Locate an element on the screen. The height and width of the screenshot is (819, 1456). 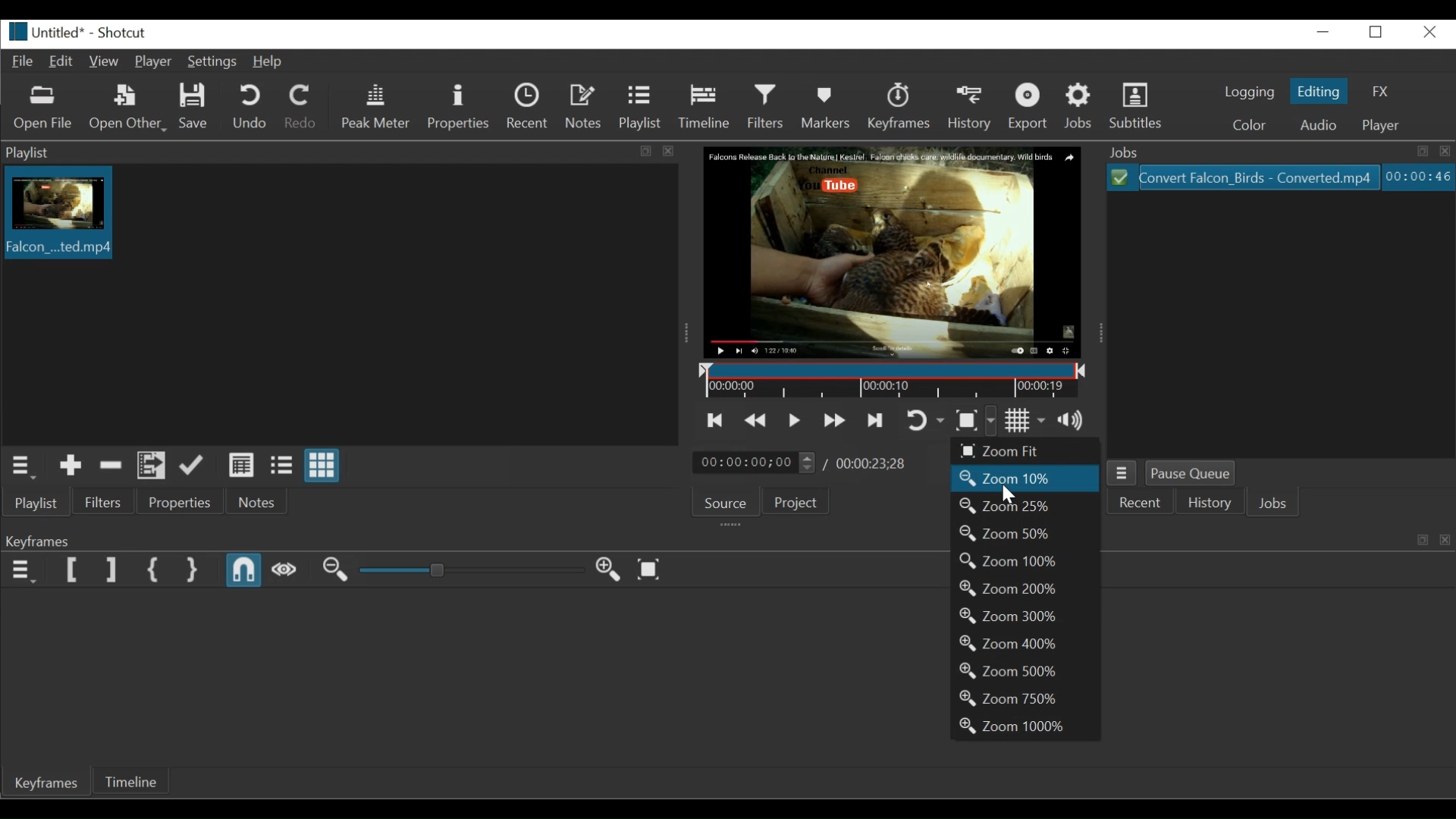
Project is located at coordinates (795, 500).